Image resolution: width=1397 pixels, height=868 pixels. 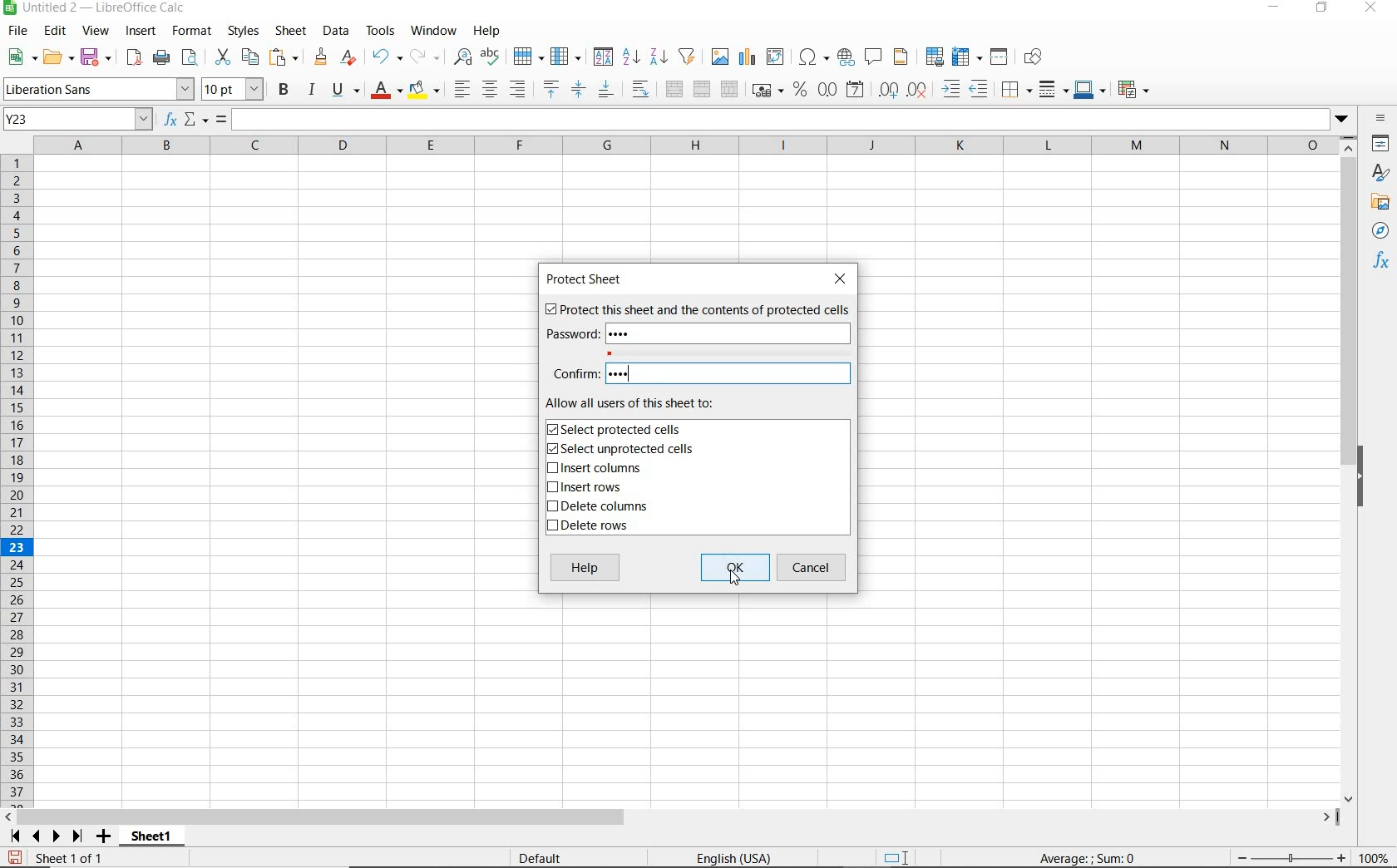 What do you see at coordinates (141, 32) in the screenshot?
I see `INSERT` at bounding box center [141, 32].